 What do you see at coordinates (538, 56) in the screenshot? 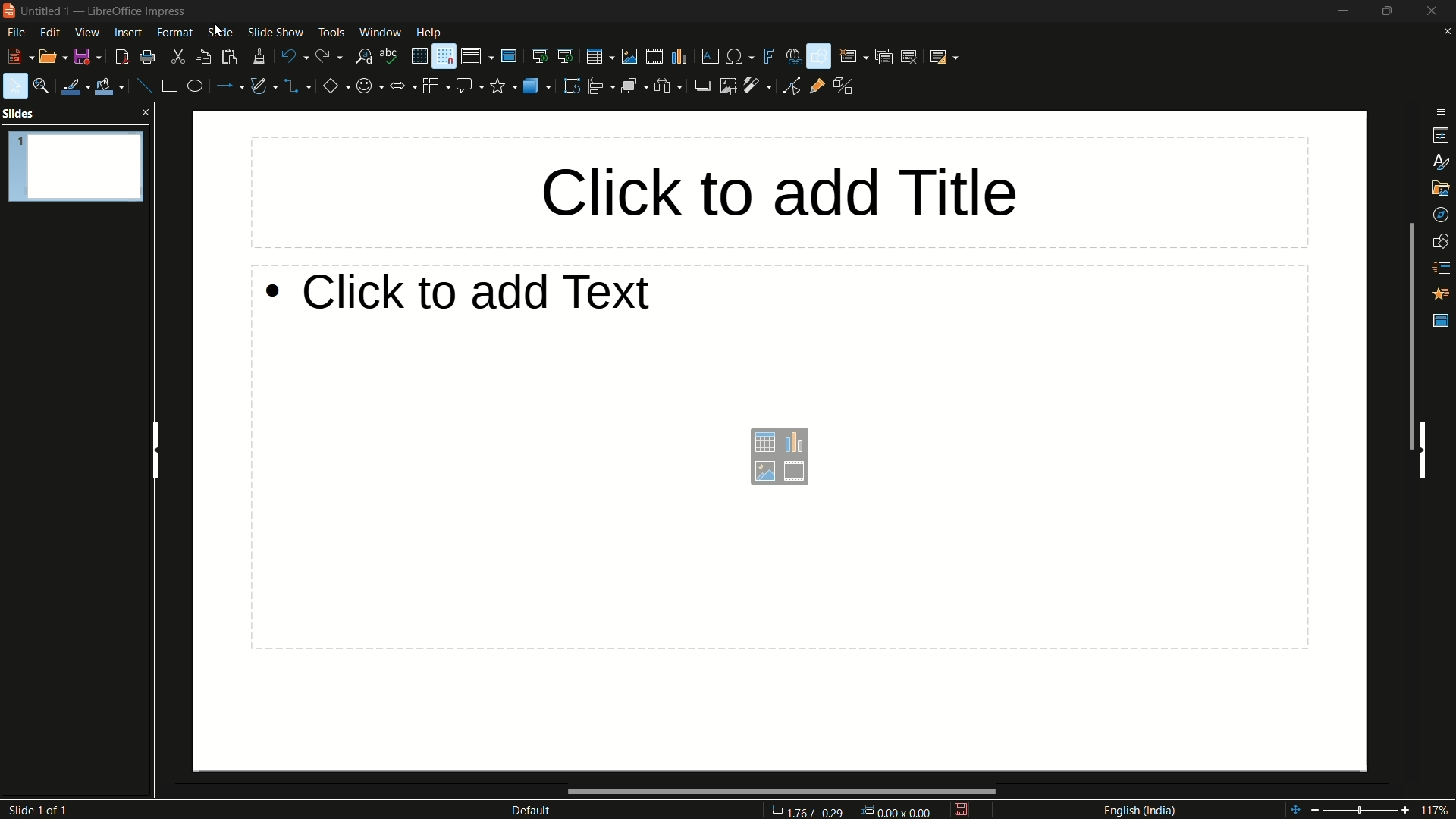
I see `start from first slide` at bounding box center [538, 56].